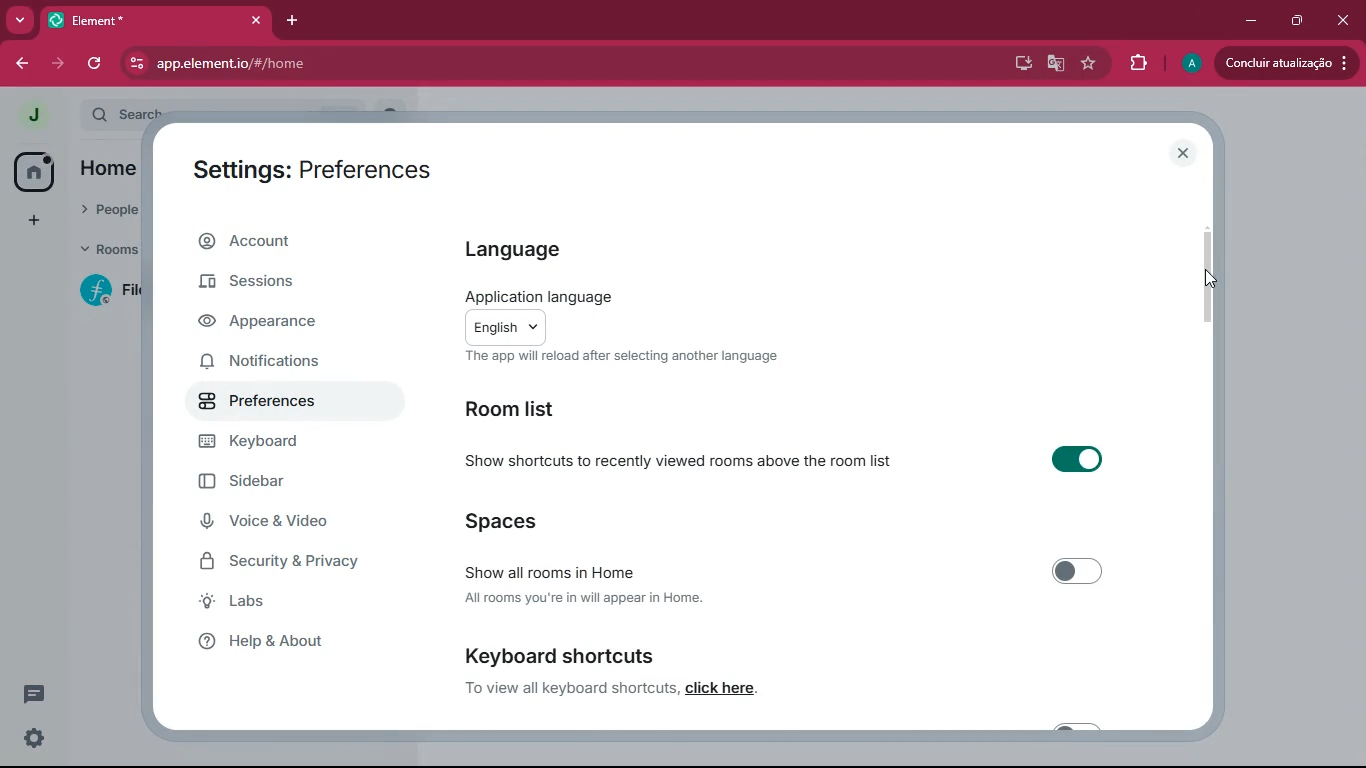  What do you see at coordinates (563, 653) in the screenshot?
I see `keyboard shortcuts` at bounding box center [563, 653].